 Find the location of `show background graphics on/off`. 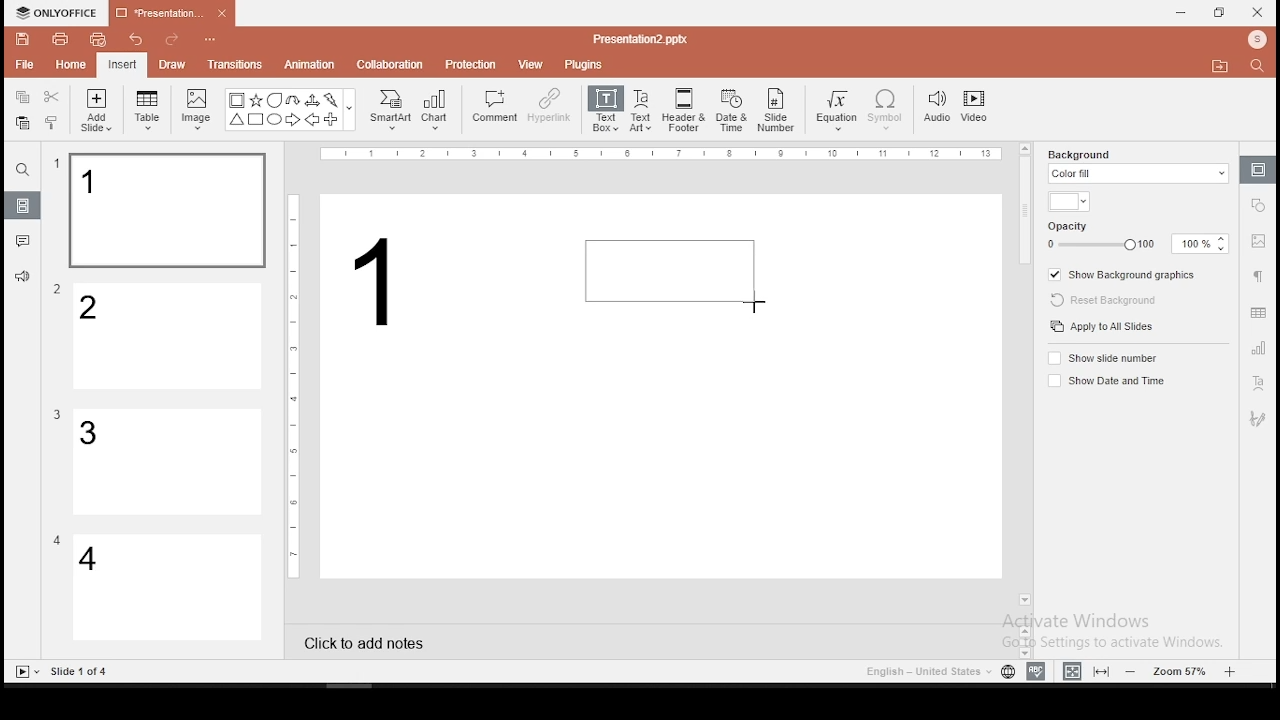

show background graphics on/off is located at coordinates (1121, 276).